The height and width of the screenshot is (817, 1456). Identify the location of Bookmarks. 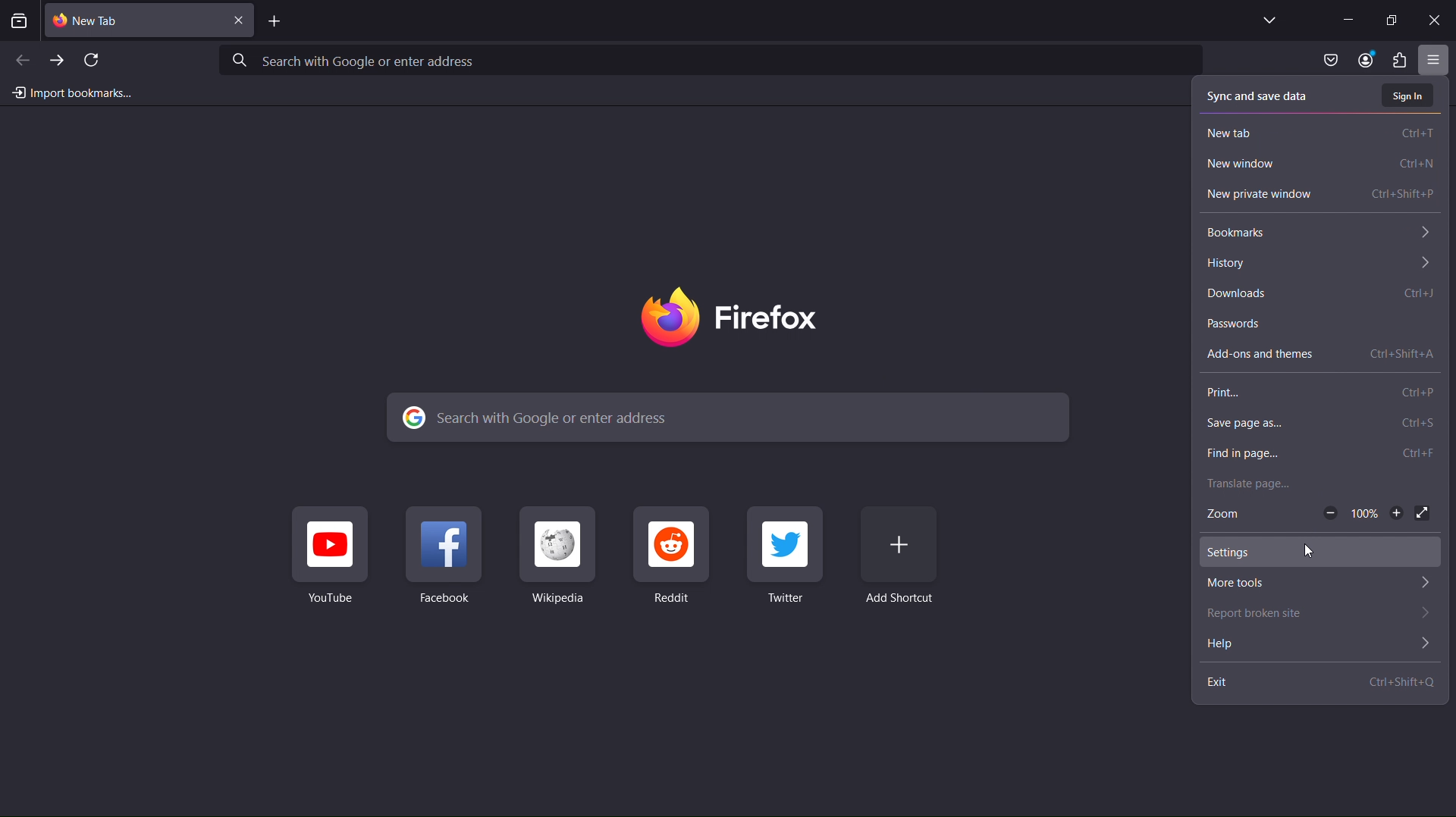
(1318, 230).